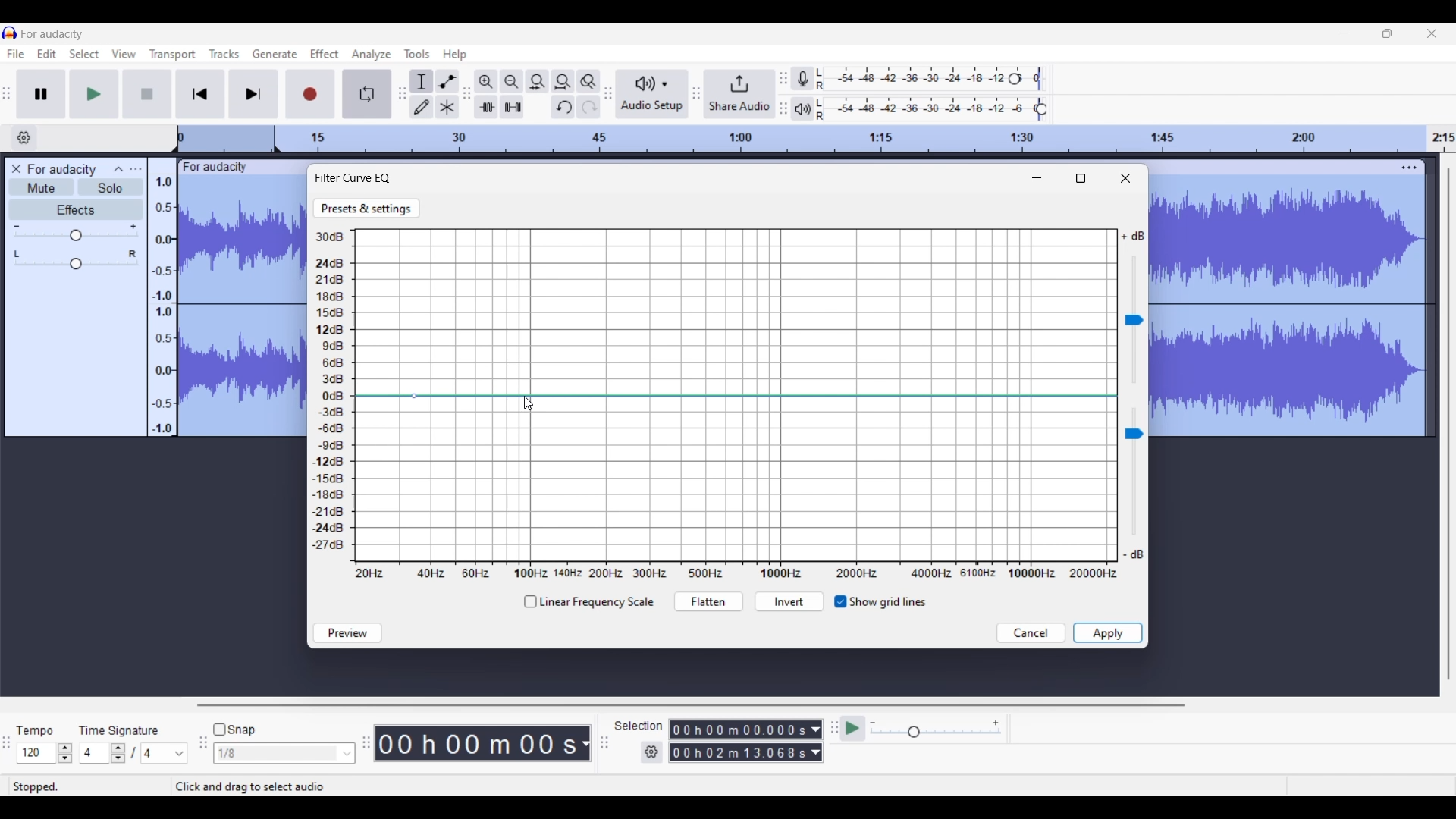  I want to click on Type in tempo, so click(36, 753).